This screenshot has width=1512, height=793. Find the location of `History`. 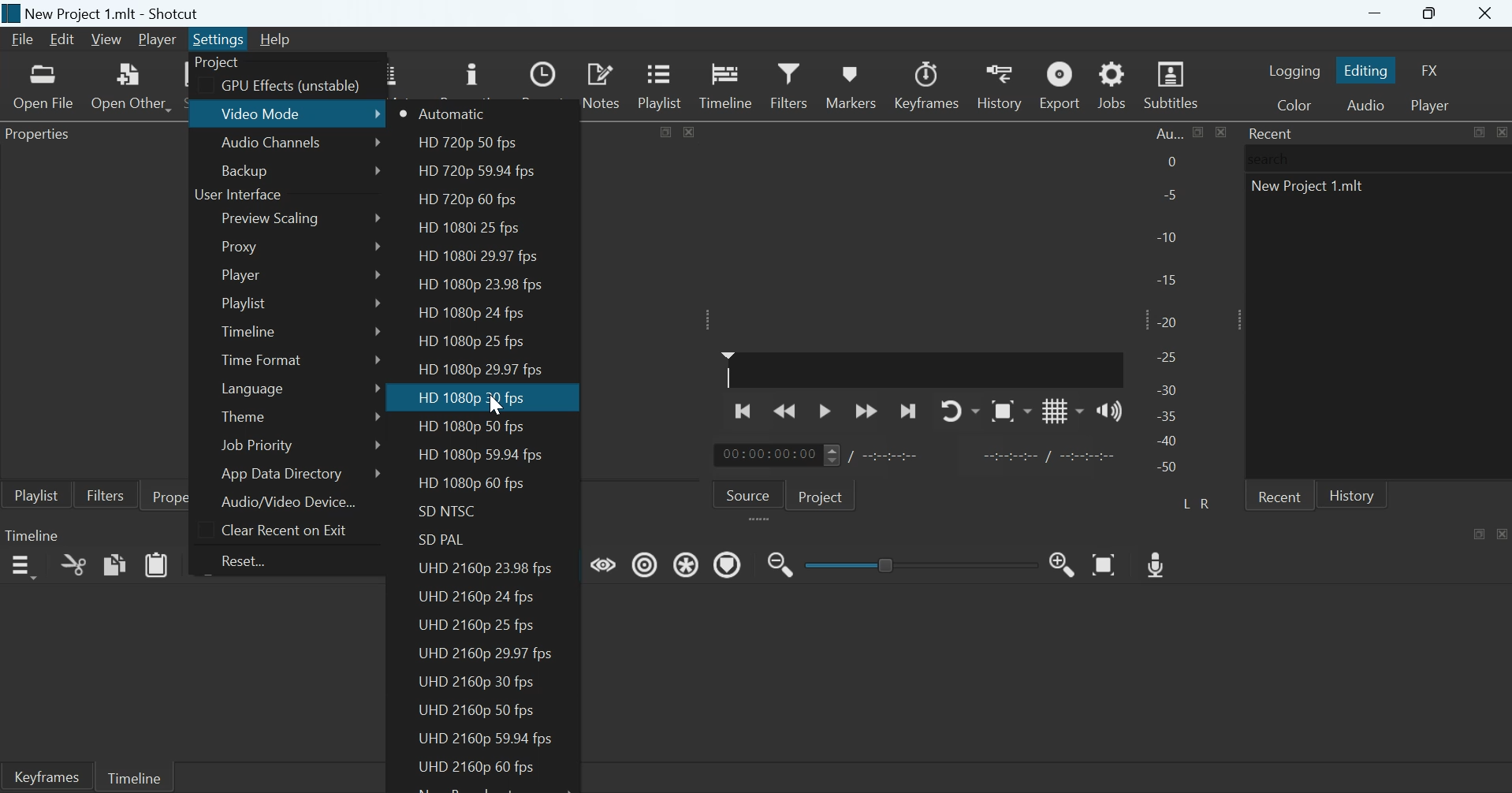

History is located at coordinates (998, 85).